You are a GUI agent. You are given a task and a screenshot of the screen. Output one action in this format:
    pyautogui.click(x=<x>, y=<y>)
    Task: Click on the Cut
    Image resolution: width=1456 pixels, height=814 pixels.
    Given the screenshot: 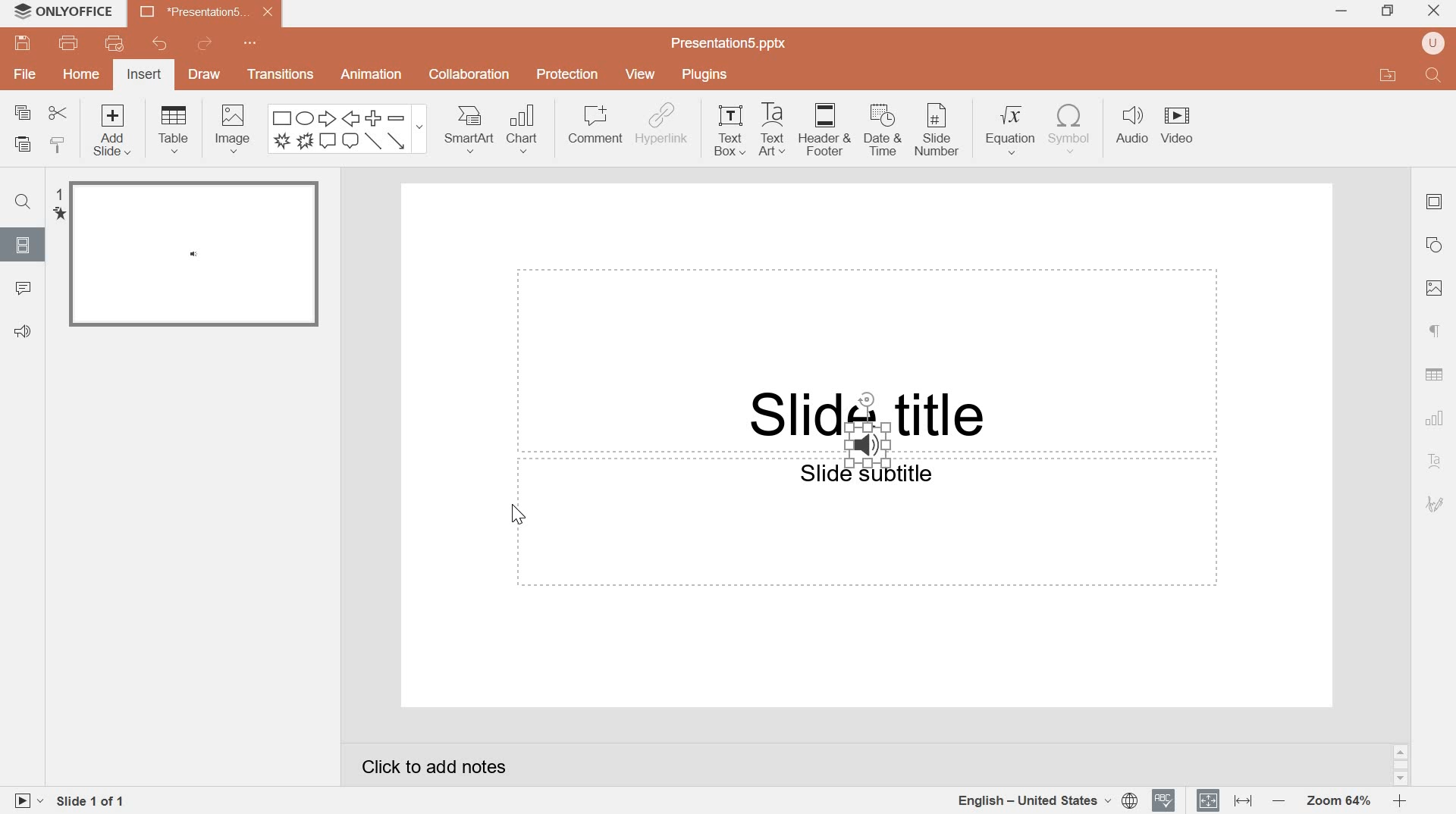 What is the action you would take?
    pyautogui.click(x=57, y=114)
    